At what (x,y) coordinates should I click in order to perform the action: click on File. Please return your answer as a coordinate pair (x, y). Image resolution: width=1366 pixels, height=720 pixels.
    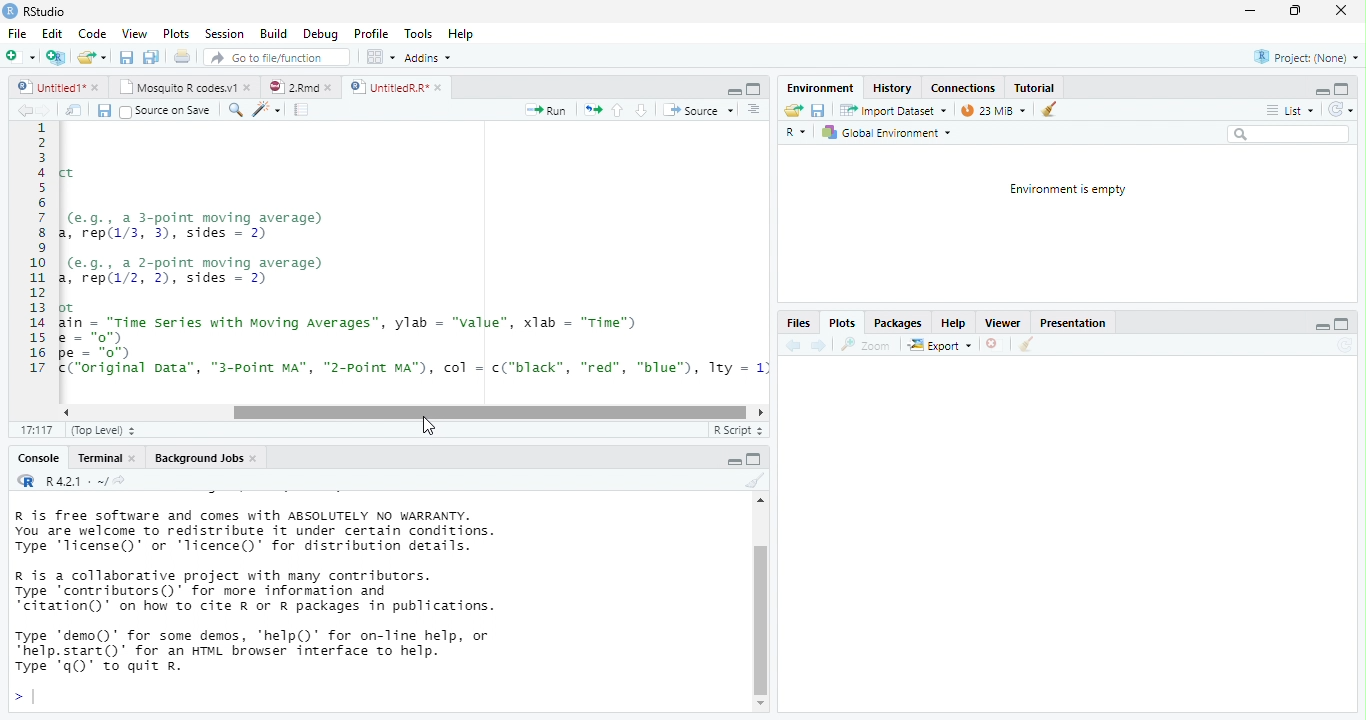
    Looking at the image, I should click on (16, 34).